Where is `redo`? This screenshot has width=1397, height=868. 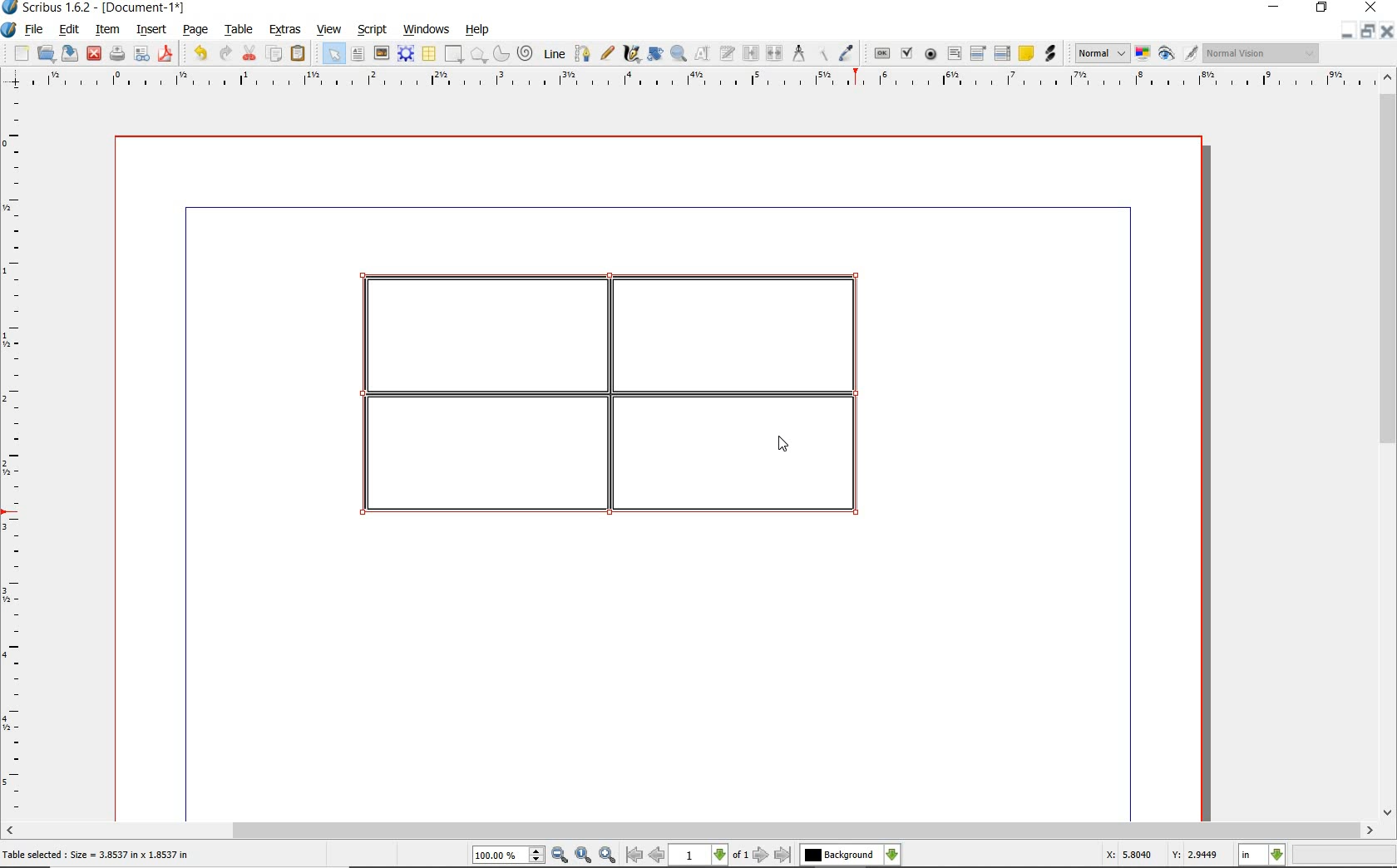
redo is located at coordinates (225, 52).